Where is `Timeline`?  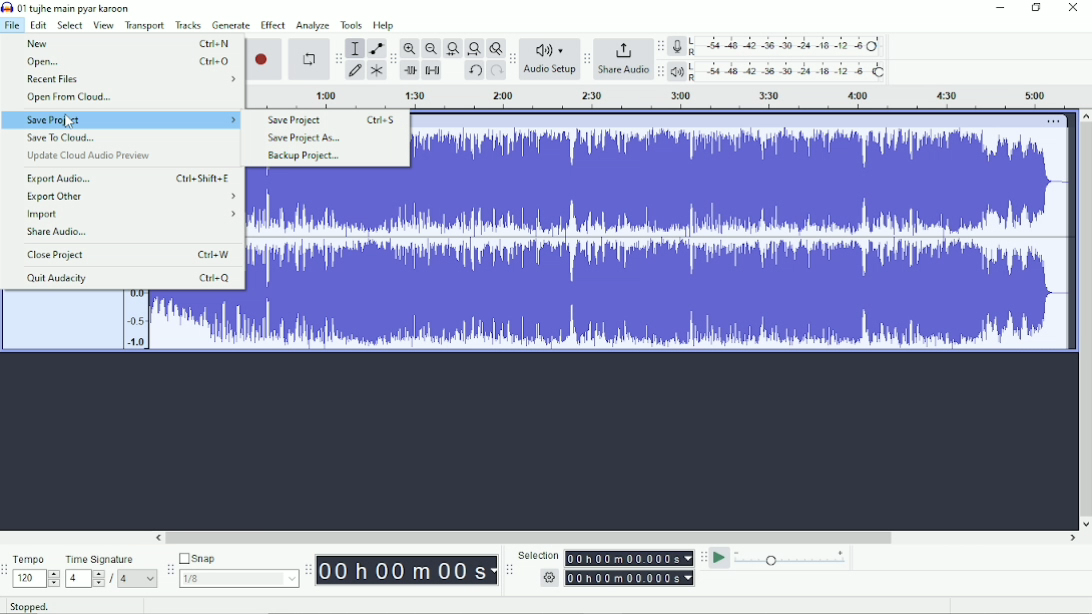
Timeline is located at coordinates (669, 98).